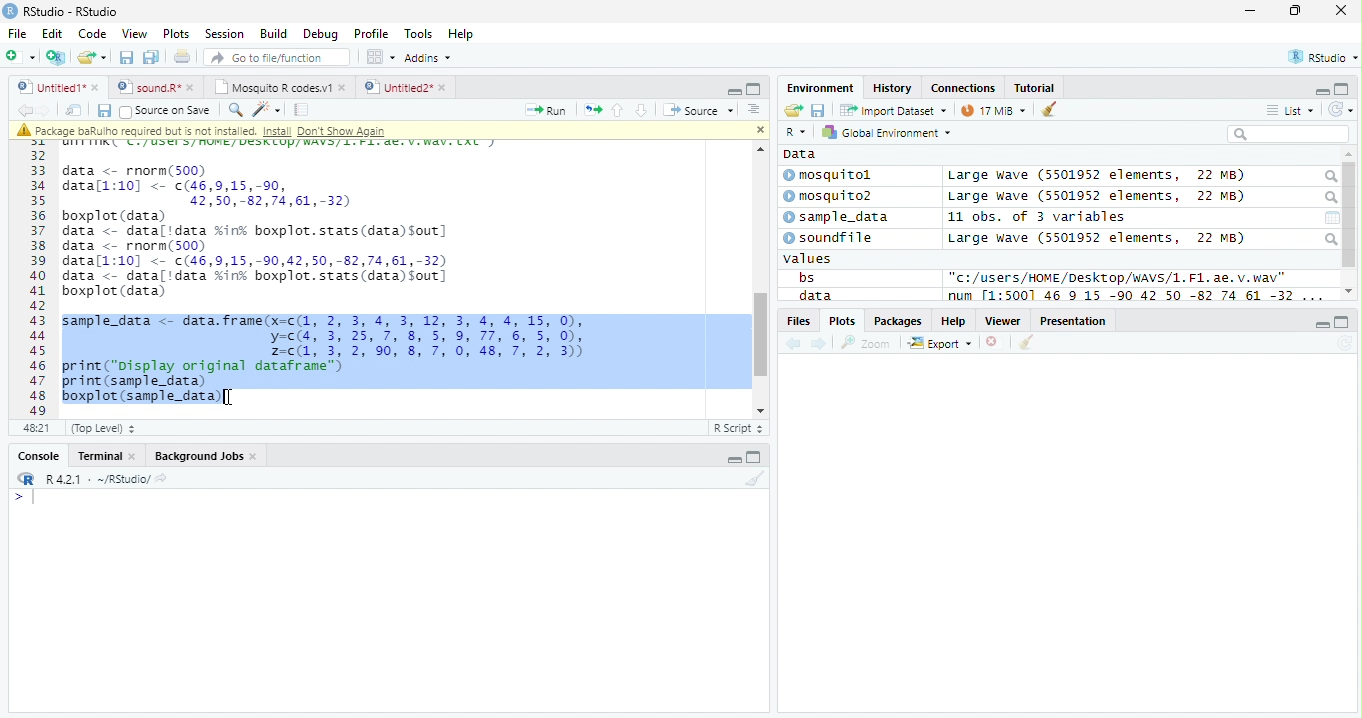 This screenshot has width=1362, height=718. Describe the element at coordinates (1003, 321) in the screenshot. I see `Viewer` at that location.